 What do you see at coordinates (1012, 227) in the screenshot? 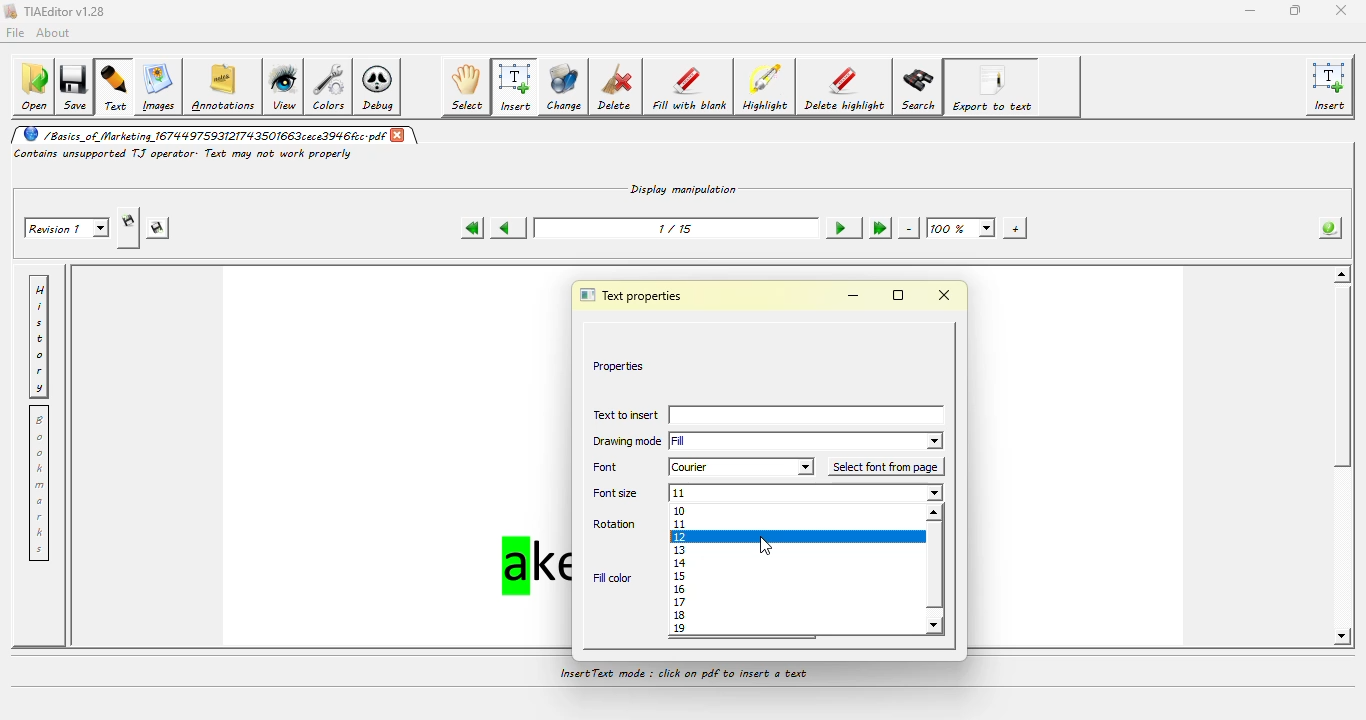
I see `zoom in` at bounding box center [1012, 227].